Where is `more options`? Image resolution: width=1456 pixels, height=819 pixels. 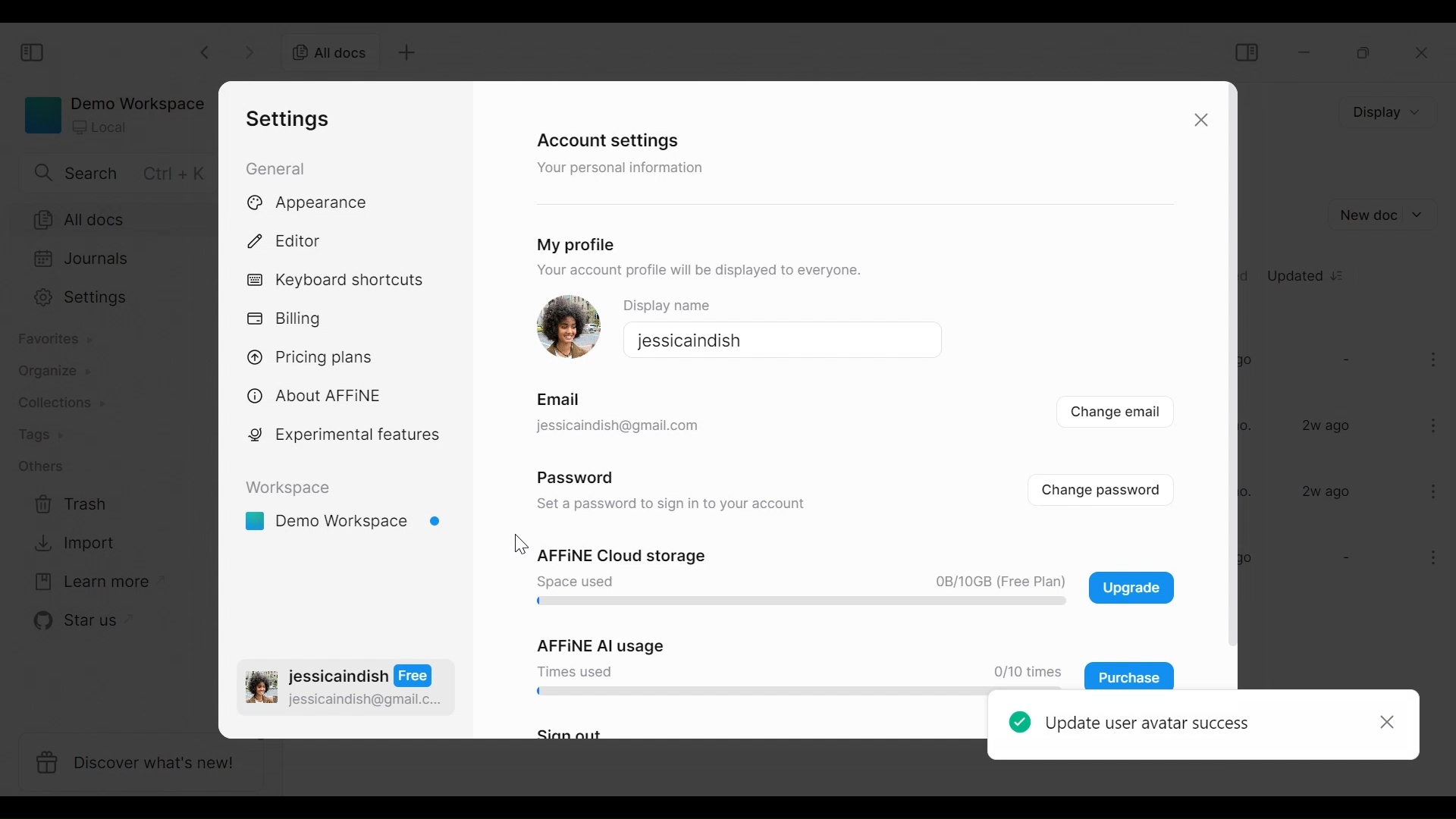 more options is located at coordinates (1435, 424).